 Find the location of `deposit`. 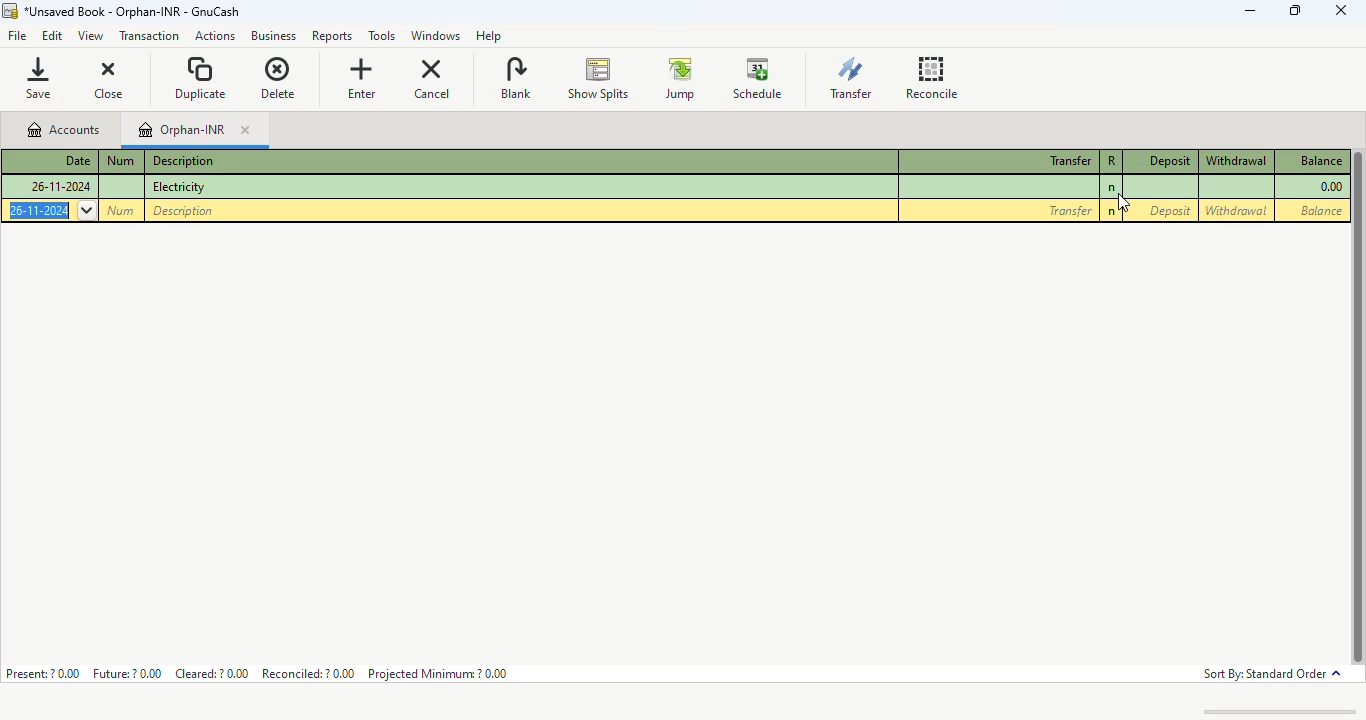

deposit is located at coordinates (1170, 210).